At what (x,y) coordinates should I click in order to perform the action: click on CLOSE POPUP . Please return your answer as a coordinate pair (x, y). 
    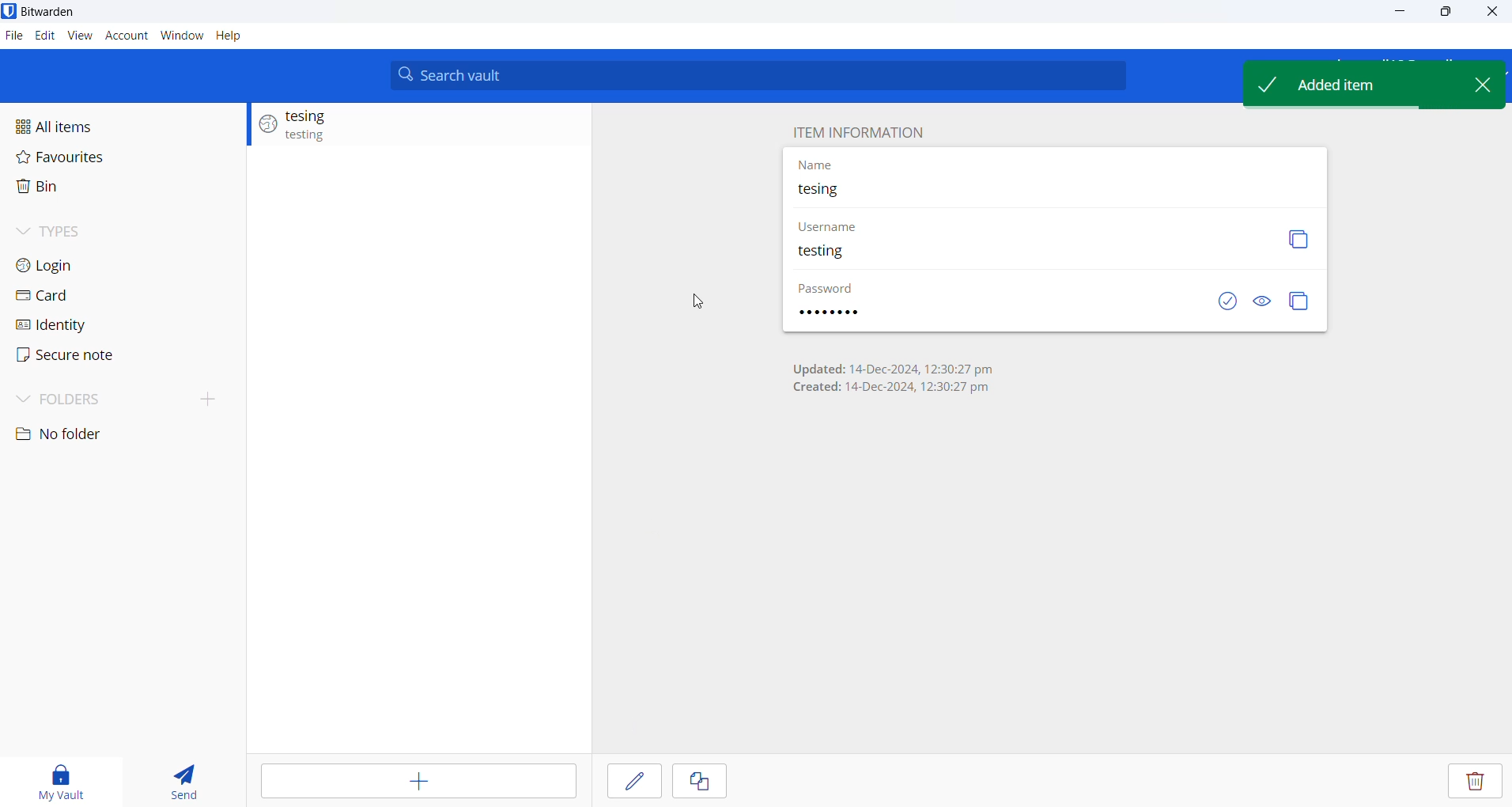
    Looking at the image, I should click on (1484, 85).